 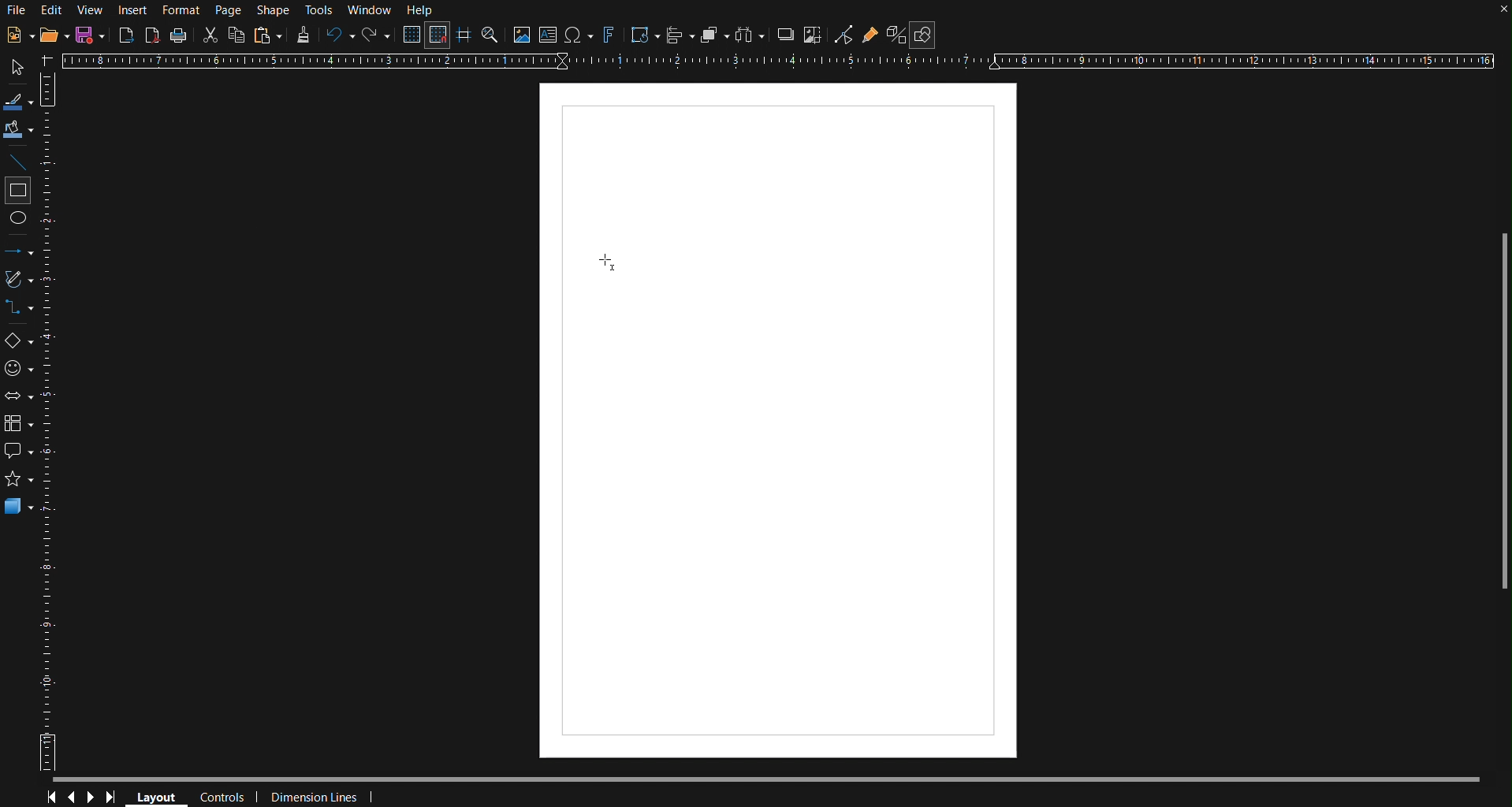 What do you see at coordinates (870, 35) in the screenshot?
I see `Show Gluepoints` at bounding box center [870, 35].